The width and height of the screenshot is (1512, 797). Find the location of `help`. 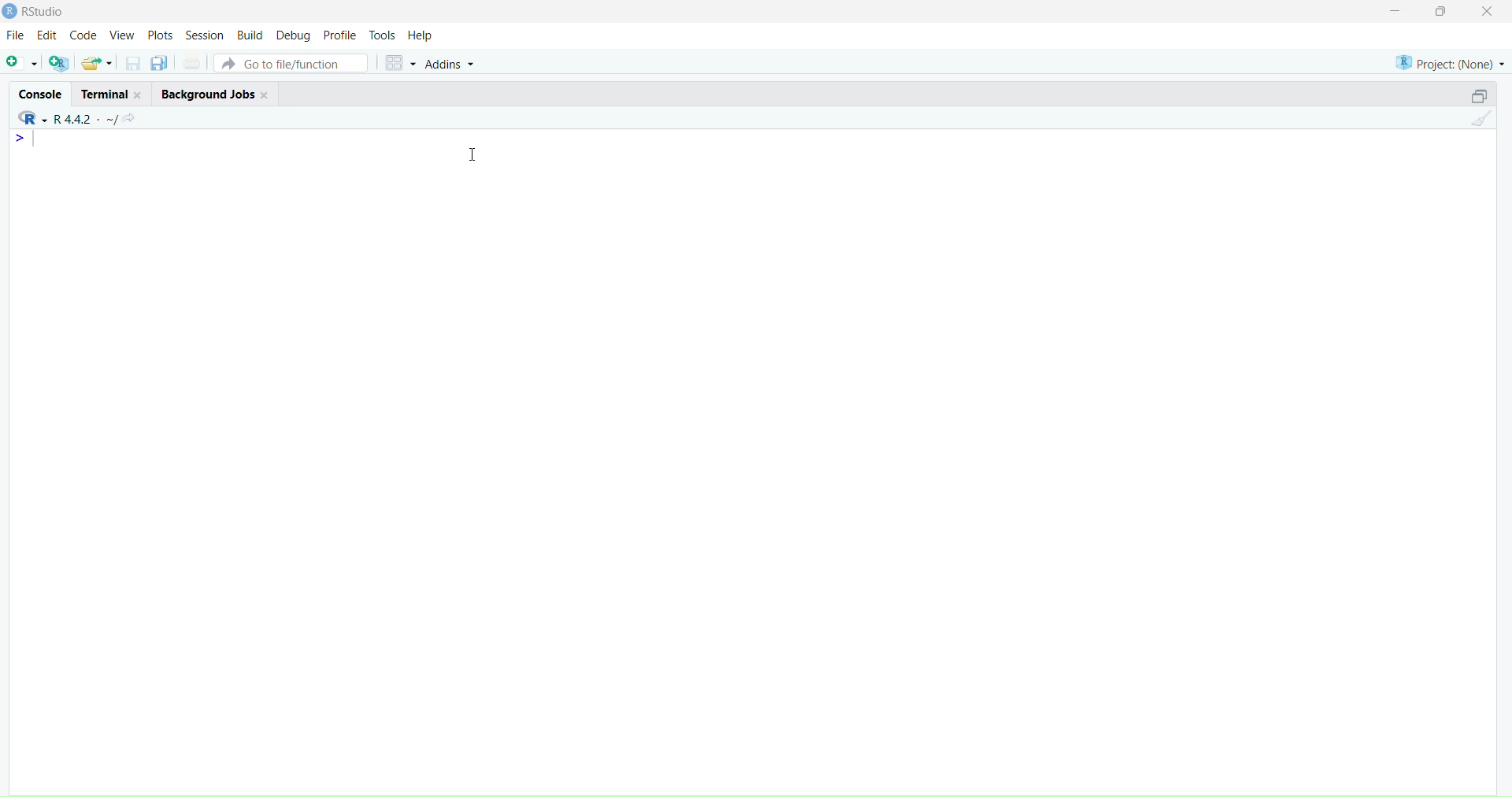

help is located at coordinates (420, 36).